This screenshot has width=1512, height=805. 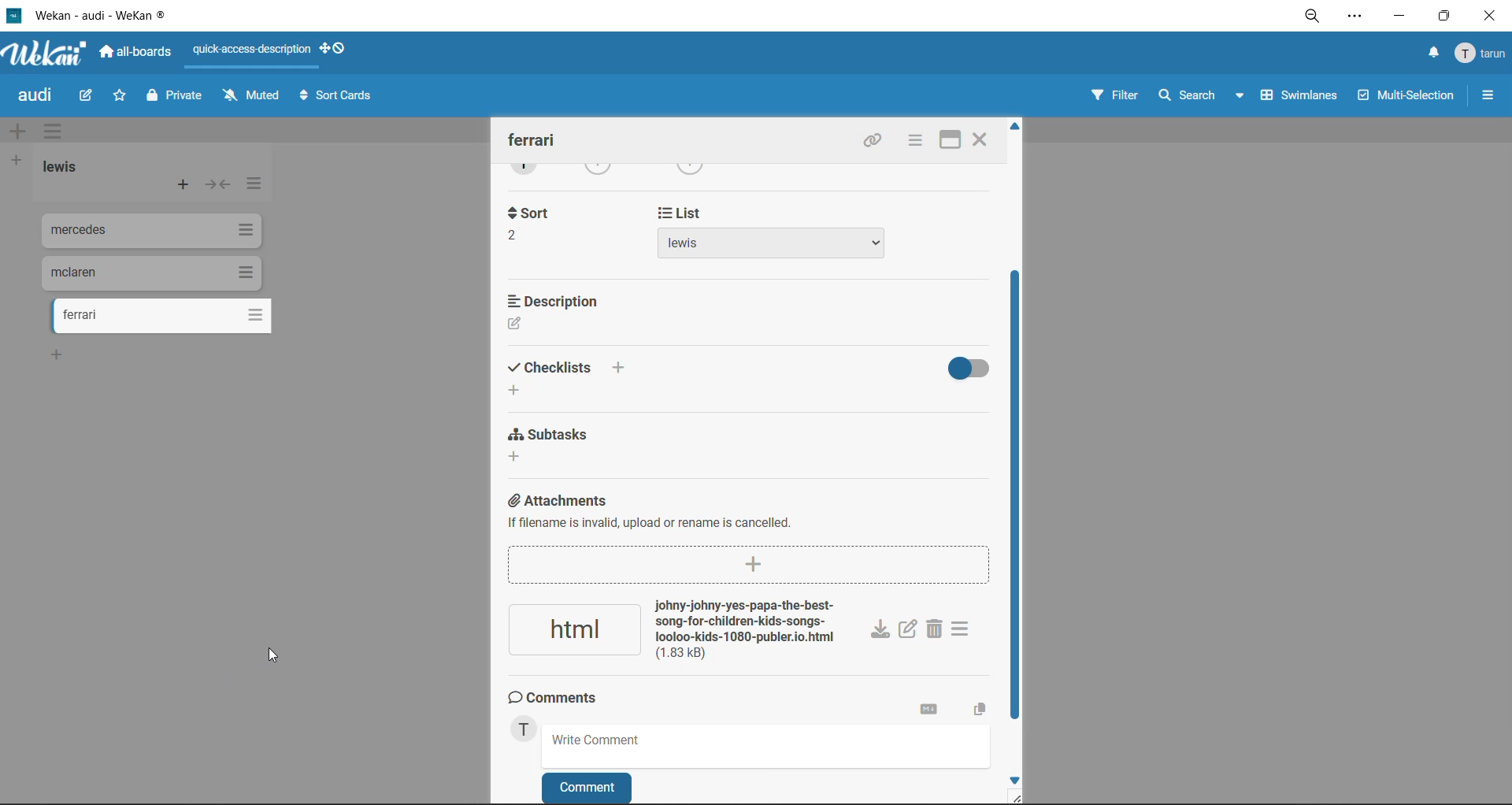 What do you see at coordinates (17, 163) in the screenshot?
I see `add list` at bounding box center [17, 163].